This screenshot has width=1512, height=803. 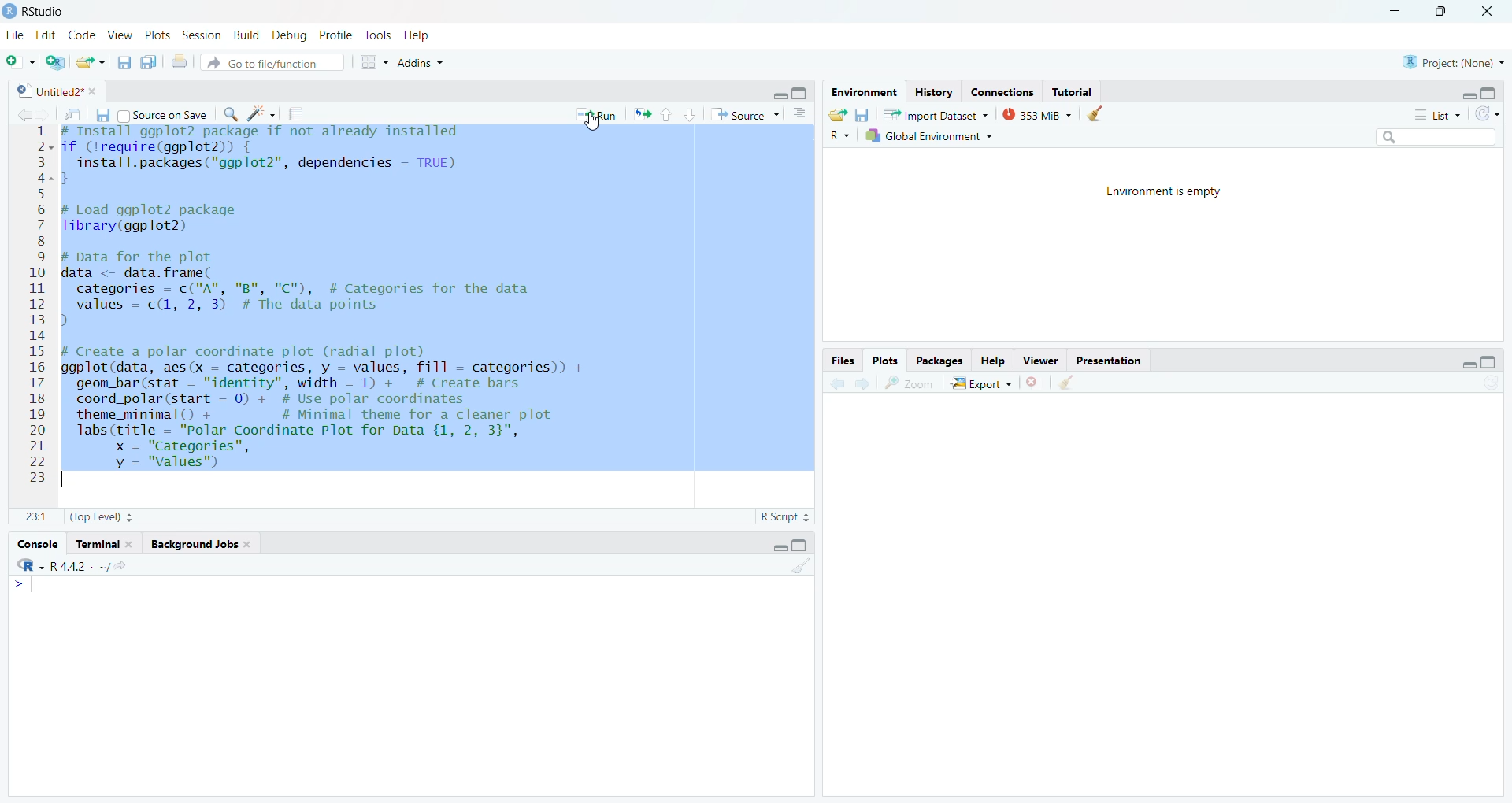 What do you see at coordinates (164, 116) in the screenshot?
I see `Source on Save` at bounding box center [164, 116].